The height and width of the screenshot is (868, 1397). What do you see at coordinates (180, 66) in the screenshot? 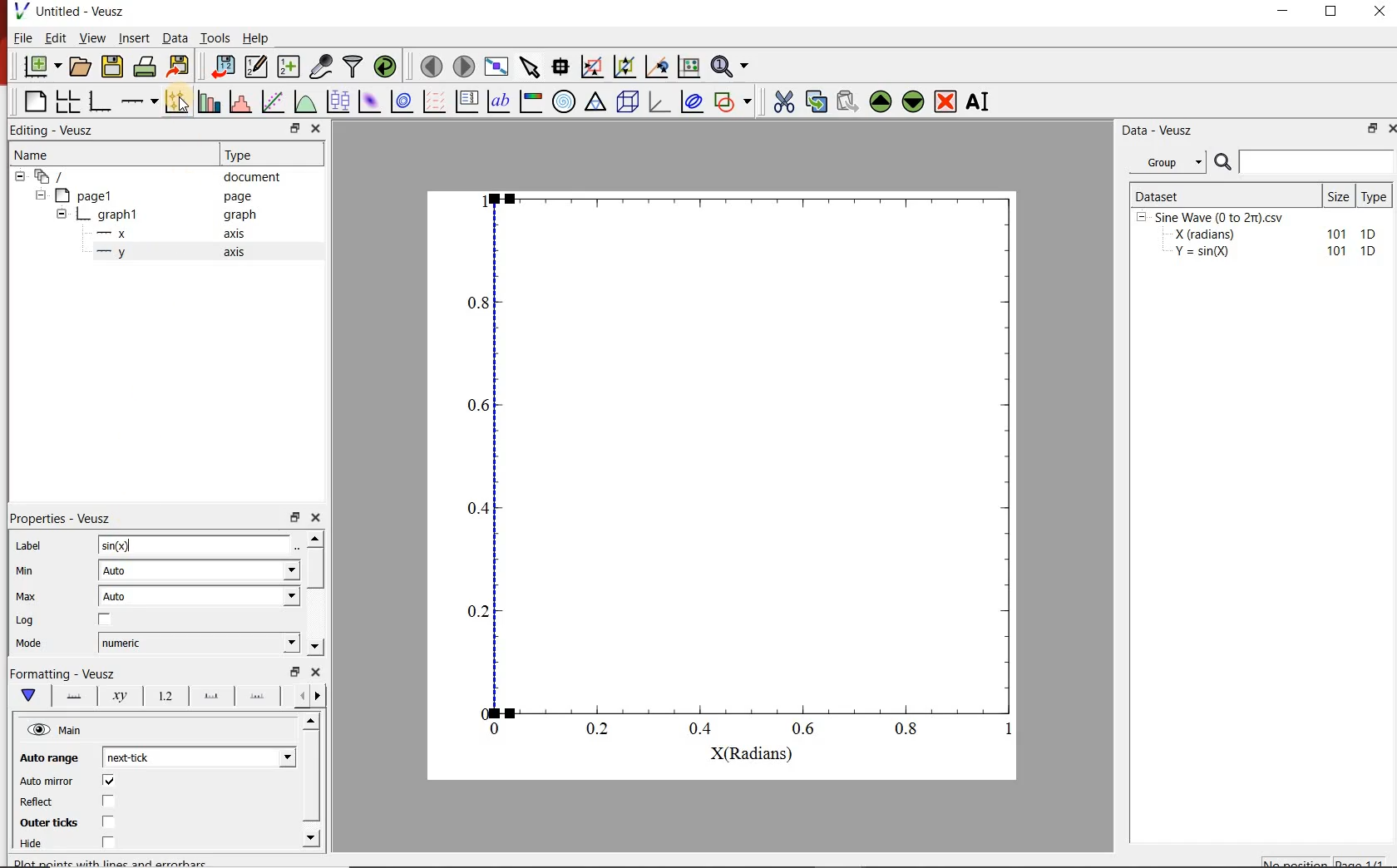
I see `export to graphics` at bounding box center [180, 66].